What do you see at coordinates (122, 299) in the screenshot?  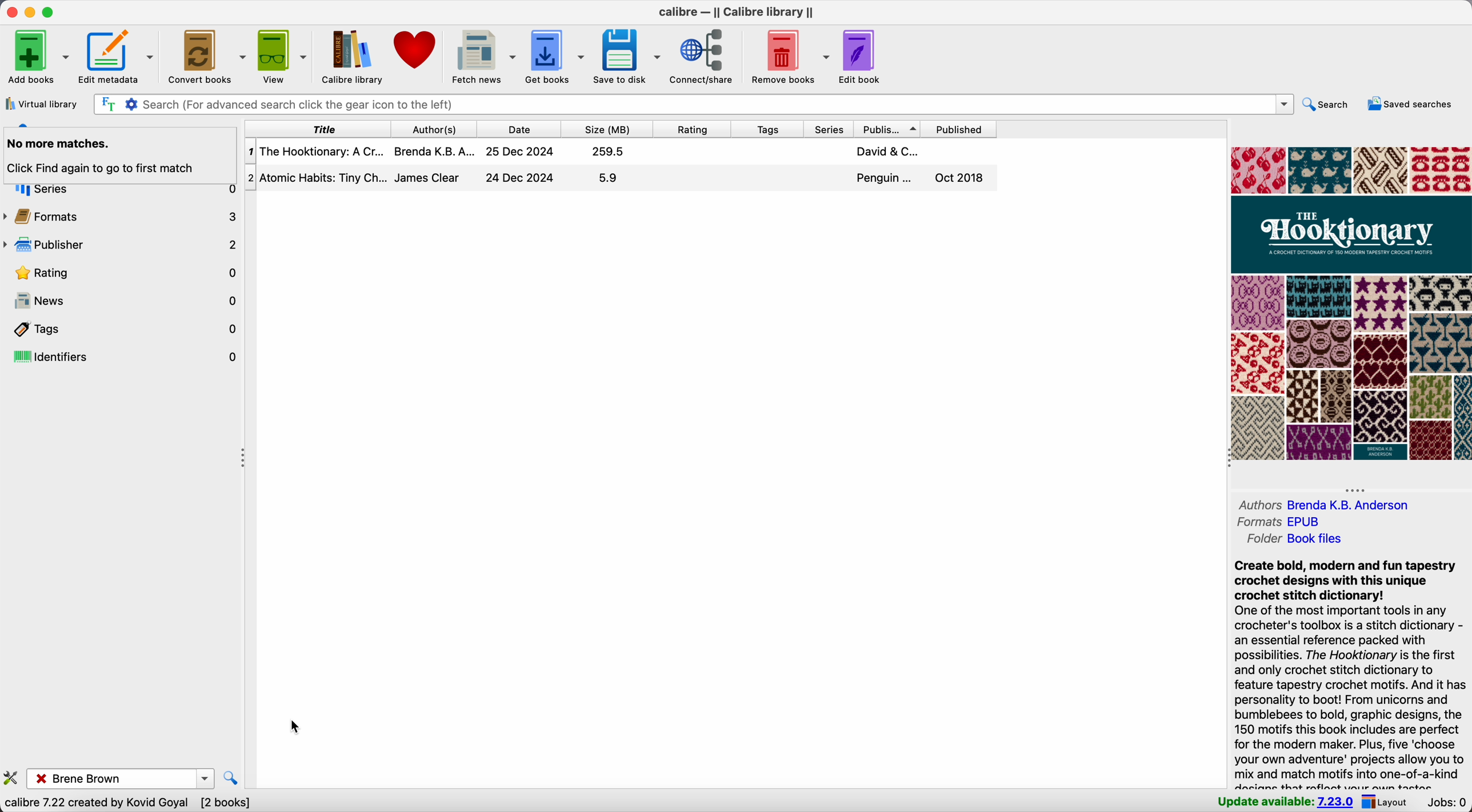 I see `news` at bounding box center [122, 299].